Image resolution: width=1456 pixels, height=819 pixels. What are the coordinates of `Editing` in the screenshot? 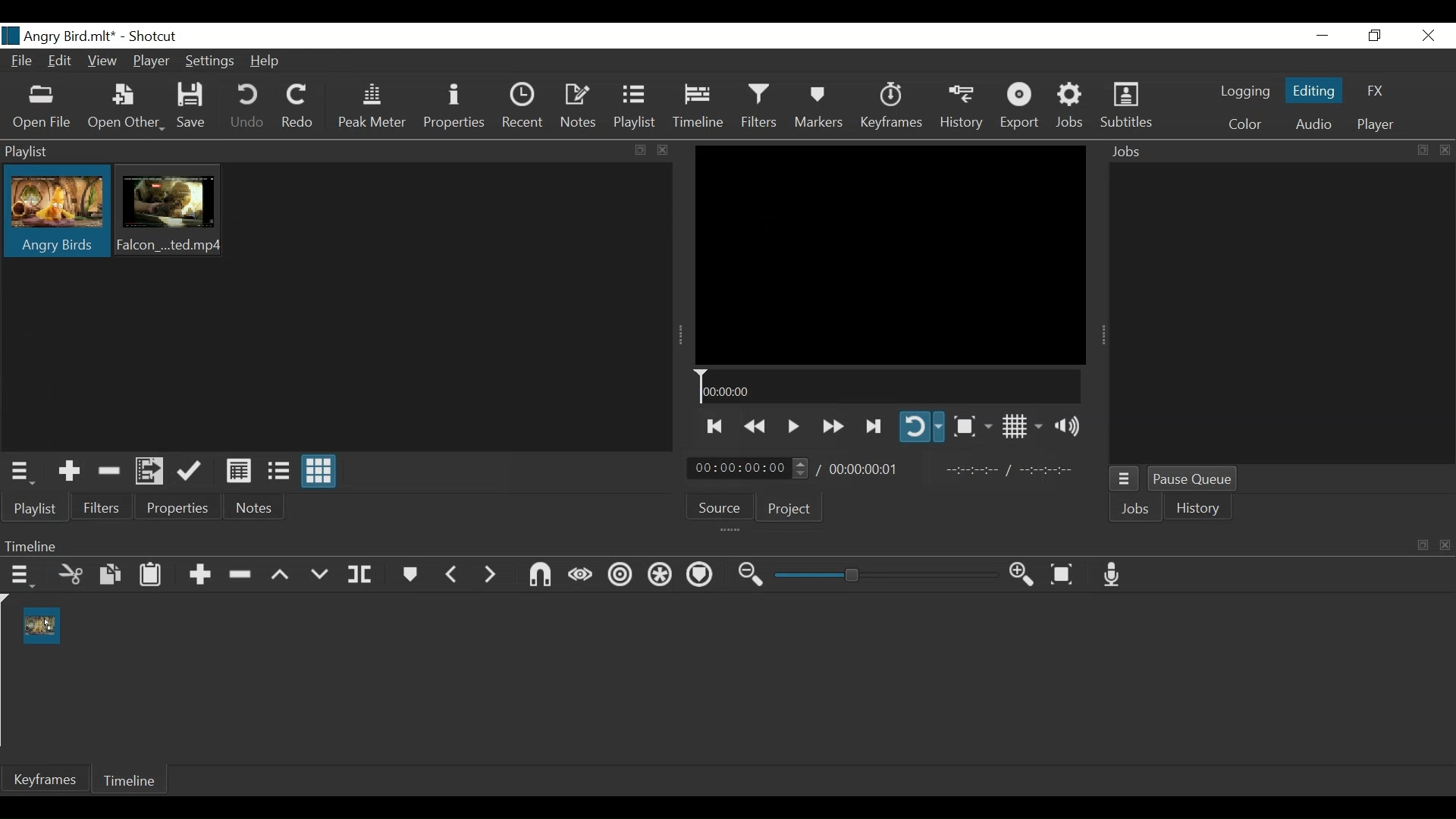 It's located at (1314, 93).